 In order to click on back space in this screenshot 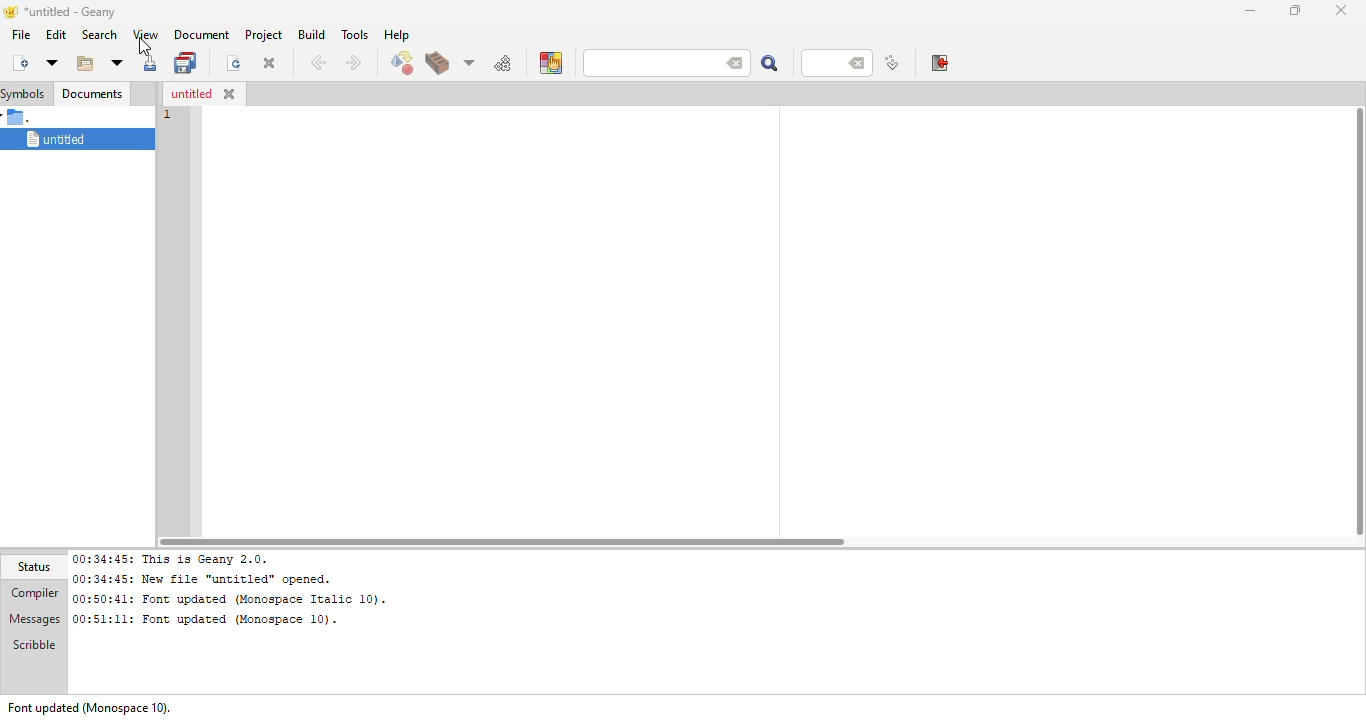, I will do `click(859, 64)`.